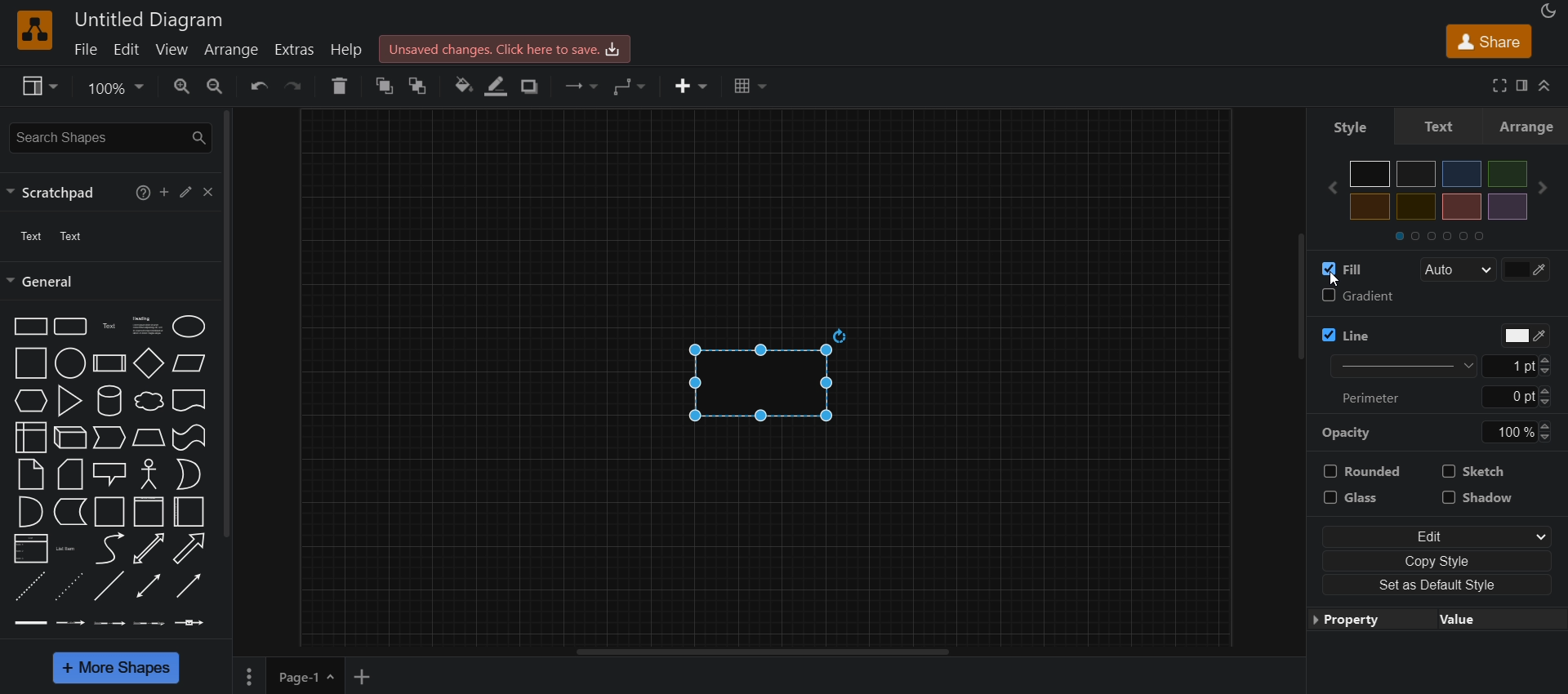  What do you see at coordinates (295, 51) in the screenshot?
I see `extras` at bounding box center [295, 51].